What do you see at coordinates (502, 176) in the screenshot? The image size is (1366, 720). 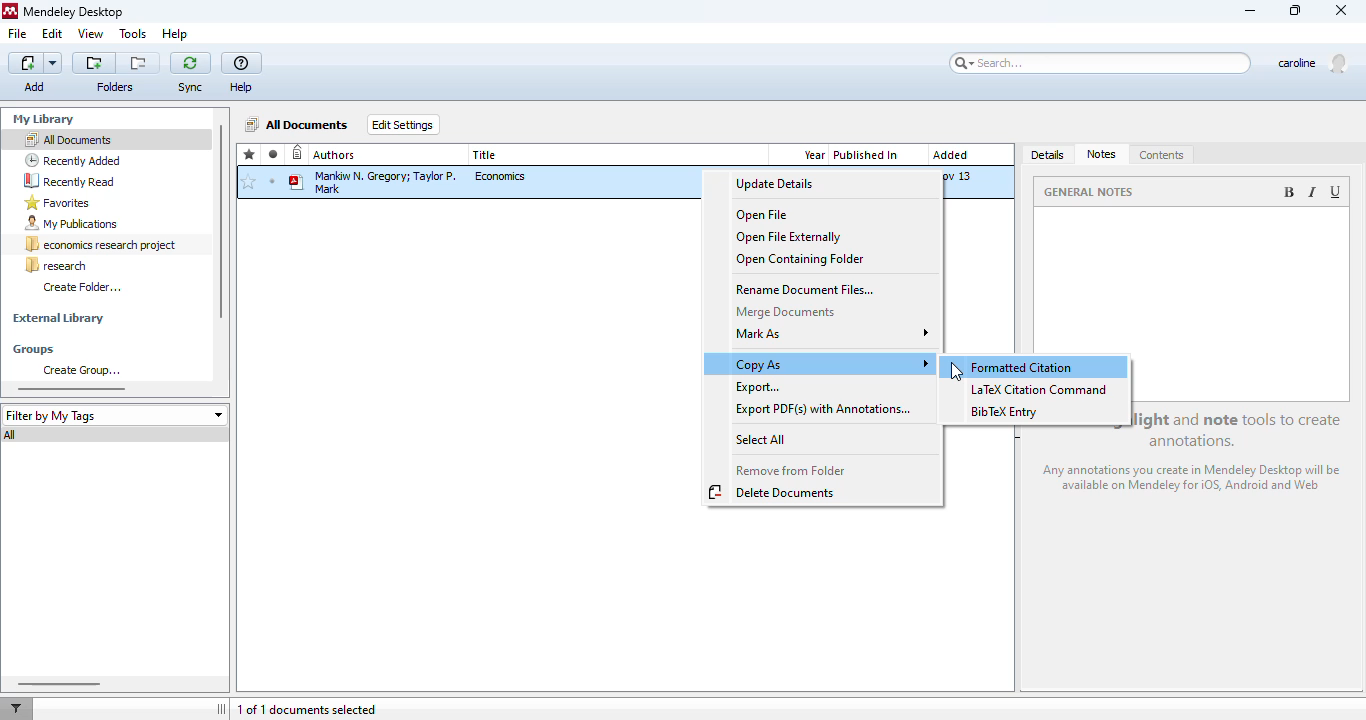 I see `economics` at bounding box center [502, 176].